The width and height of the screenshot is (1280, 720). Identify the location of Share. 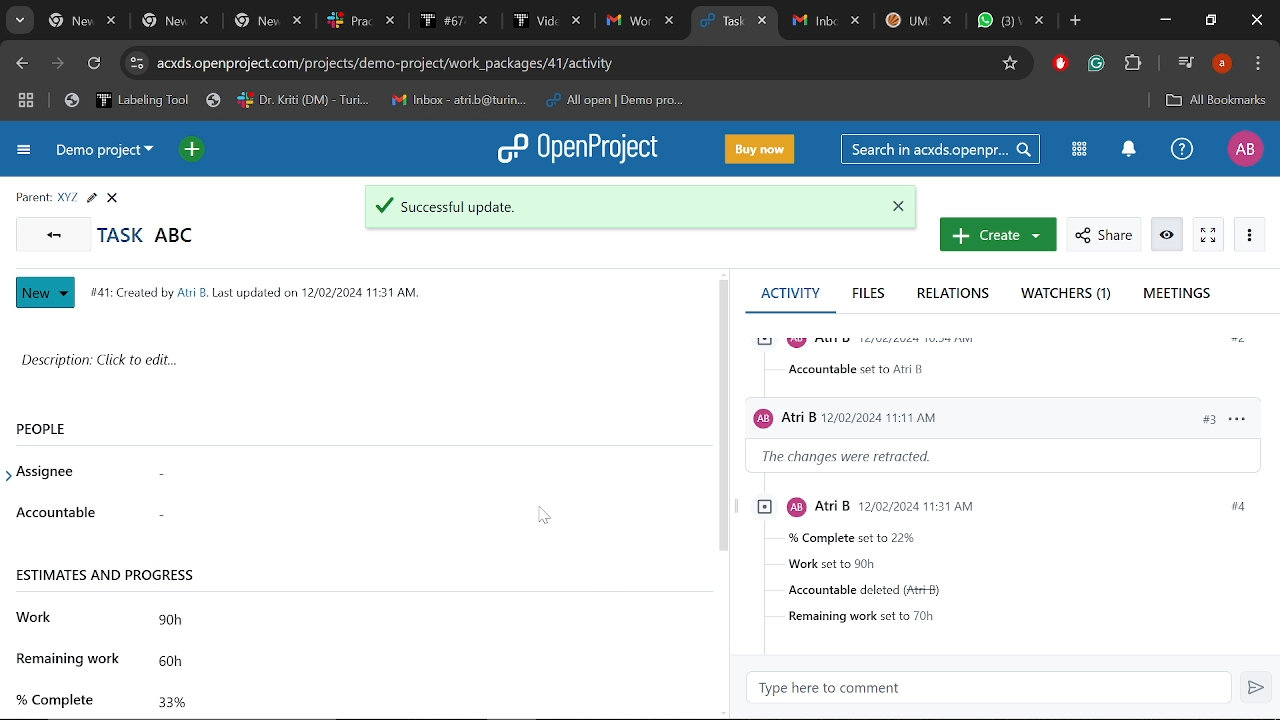
(1102, 235).